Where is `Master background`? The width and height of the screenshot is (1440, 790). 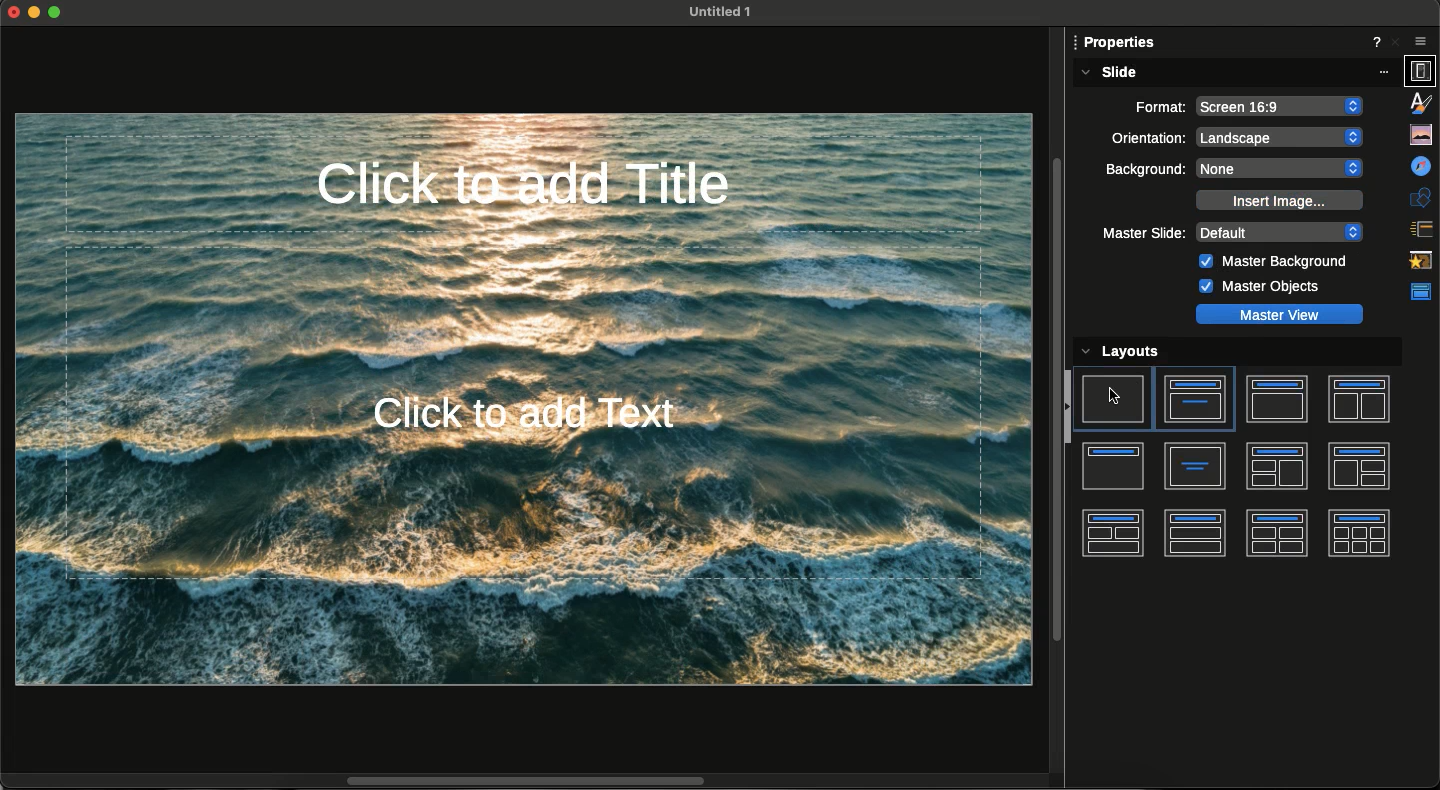 Master background is located at coordinates (1276, 263).